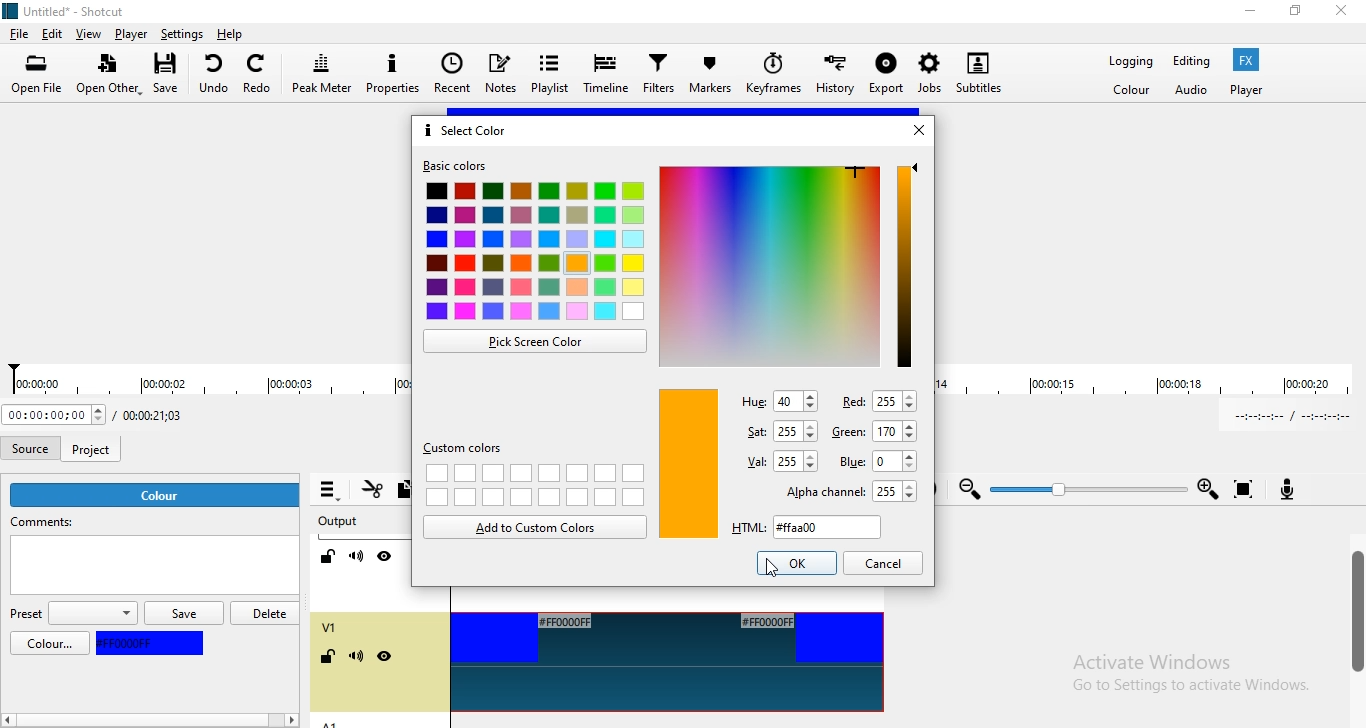 This screenshot has width=1366, height=728. I want to click on highlighted, so click(795, 563).